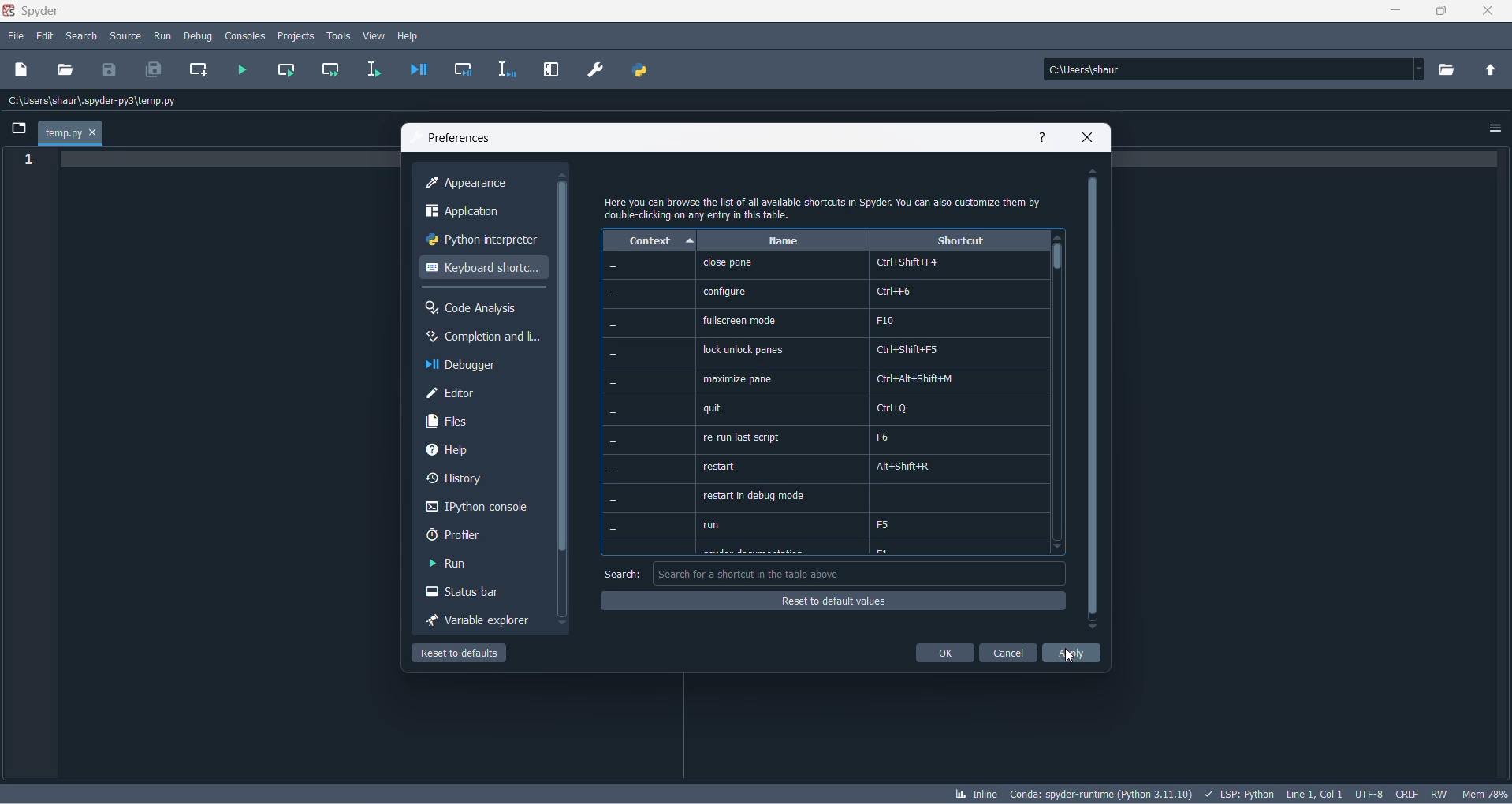 This screenshot has width=1512, height=804. I want to click on debug file, so click(415, 71).